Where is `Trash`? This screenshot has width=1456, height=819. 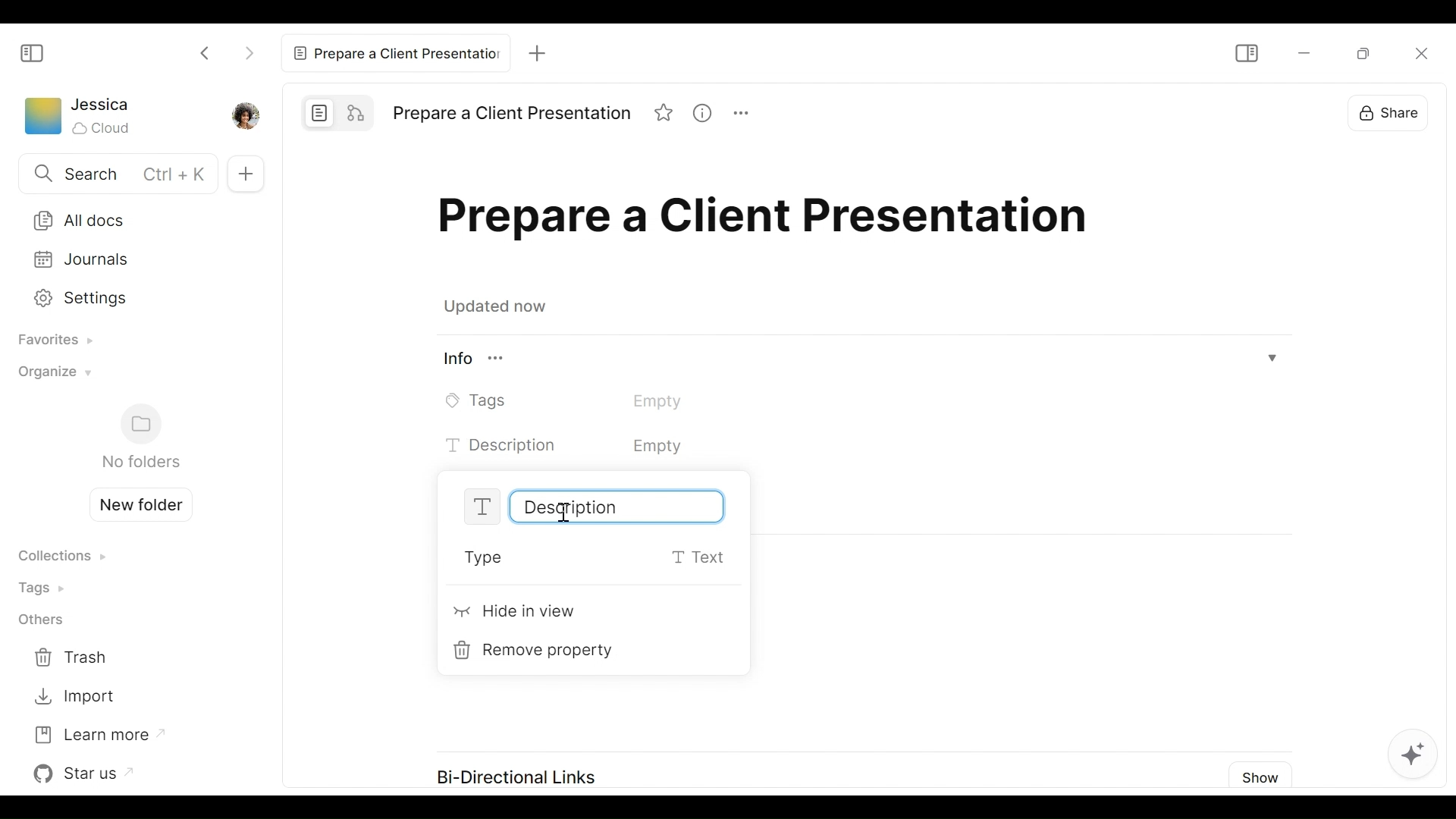
Trash is located at coordinates (74, 658).